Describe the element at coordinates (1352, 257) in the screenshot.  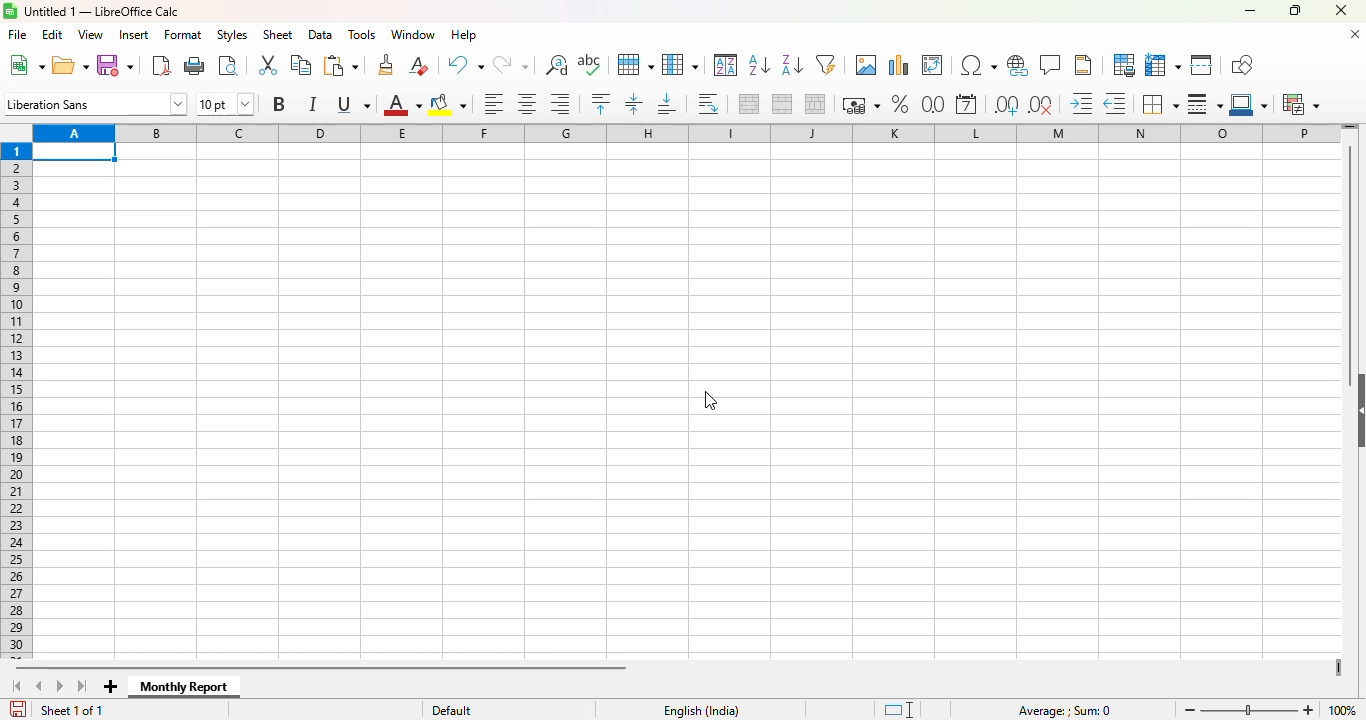
I see `vertical scroll bar` at that location.